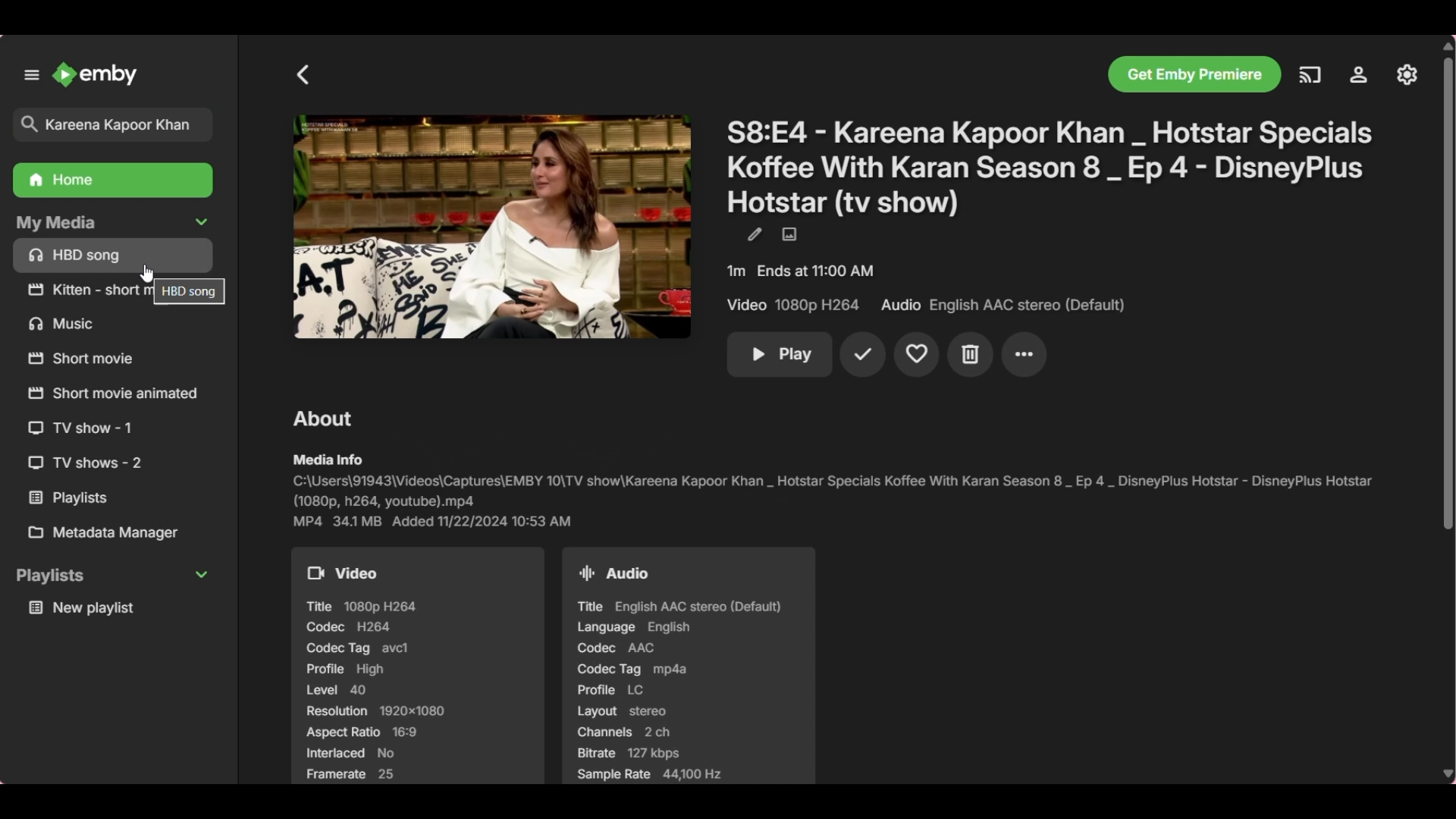  I want to click on Pathway and file name of selected search, so click(834, 492).